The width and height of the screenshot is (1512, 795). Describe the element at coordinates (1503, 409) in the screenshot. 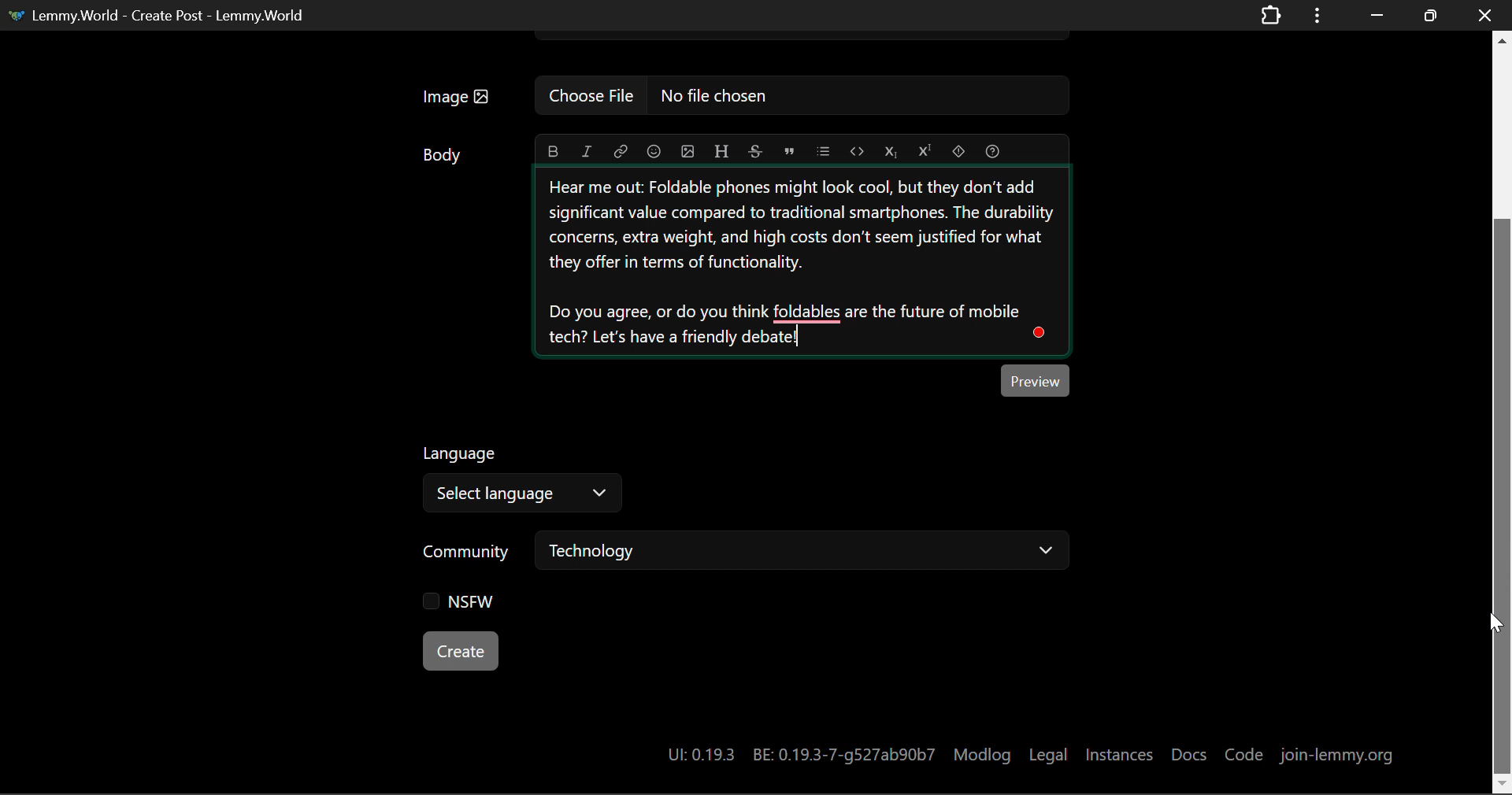

I see `Scroll Bar` at that location.